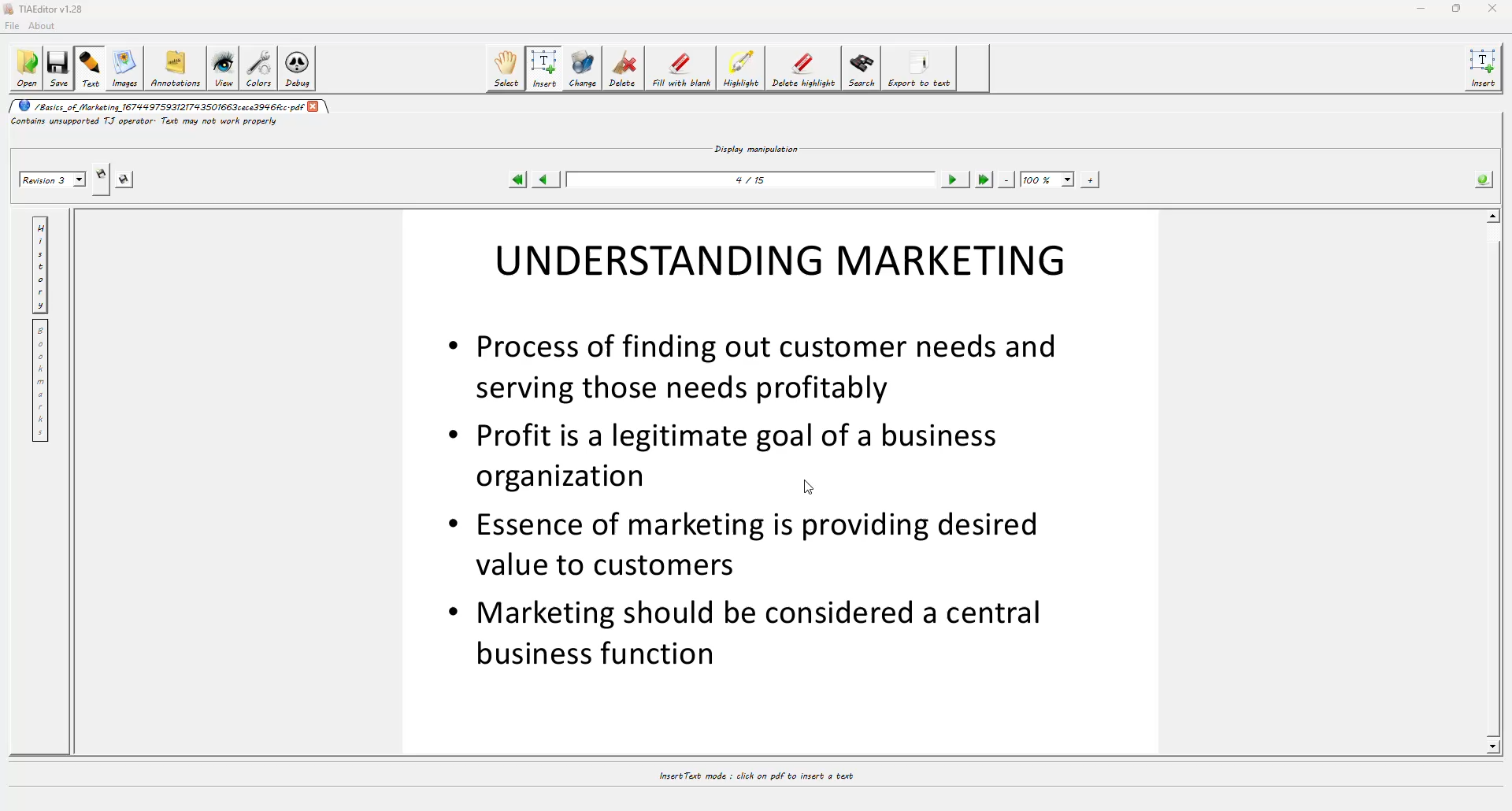 This screenshot has height=811, width=1512. I want to click on colors, so click(259, 67).